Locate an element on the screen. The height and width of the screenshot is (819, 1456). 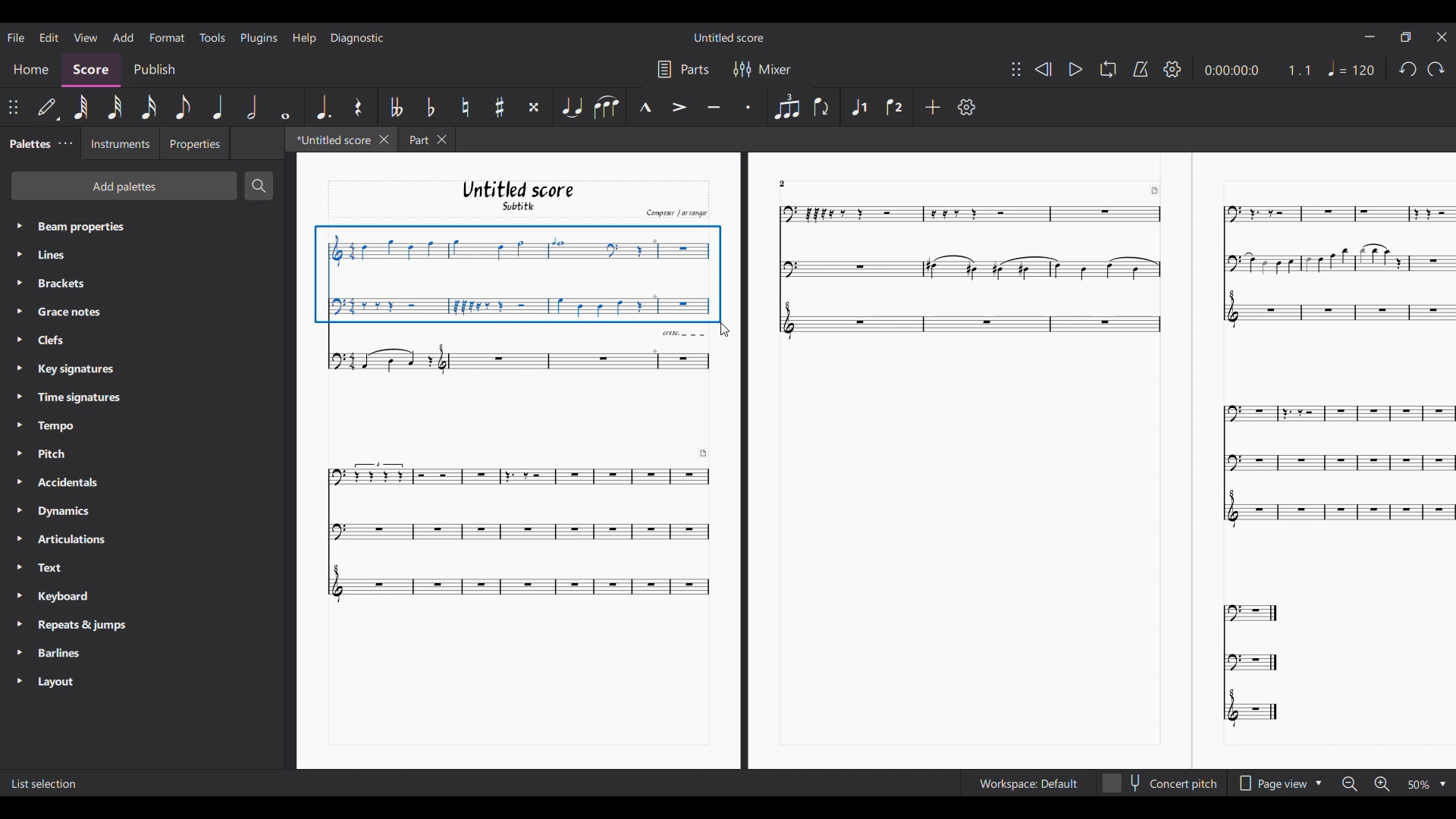
Add is located at coordinates (123, 38).